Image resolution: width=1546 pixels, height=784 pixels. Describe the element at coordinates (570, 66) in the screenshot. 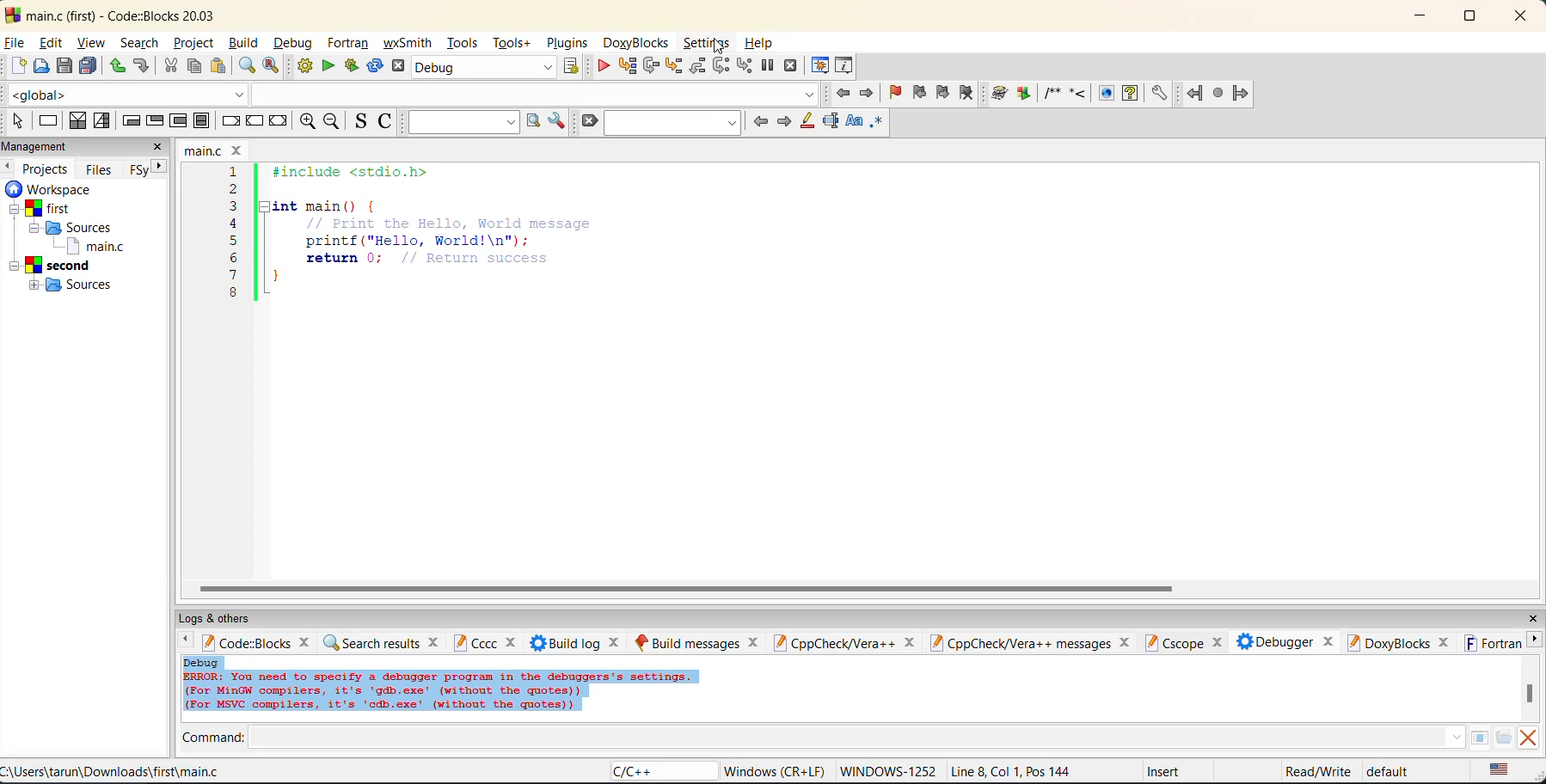

I see `show the select target dialog` at that location.